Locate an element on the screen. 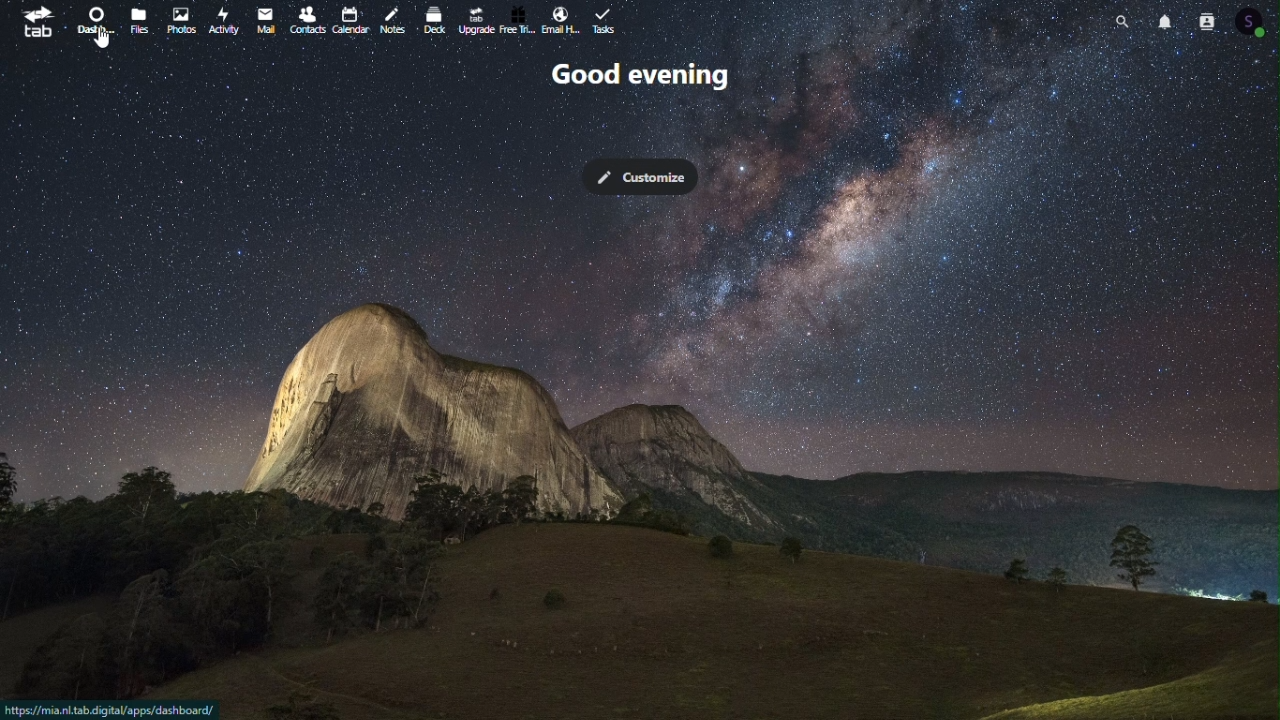  tab is located at coordinates (37, 26).